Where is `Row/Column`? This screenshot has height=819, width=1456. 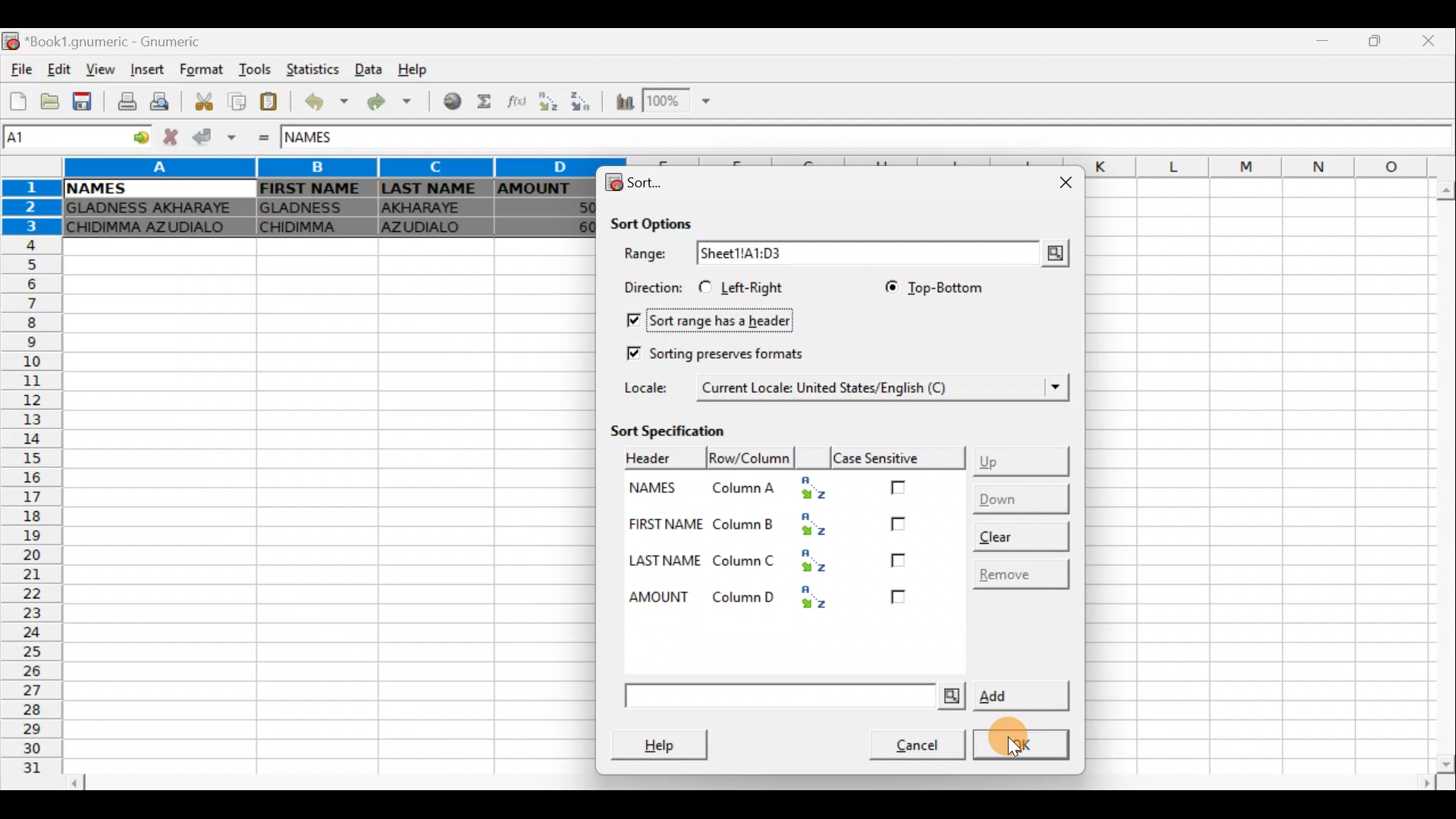
Row/Column is located at coordinates (660, 457).